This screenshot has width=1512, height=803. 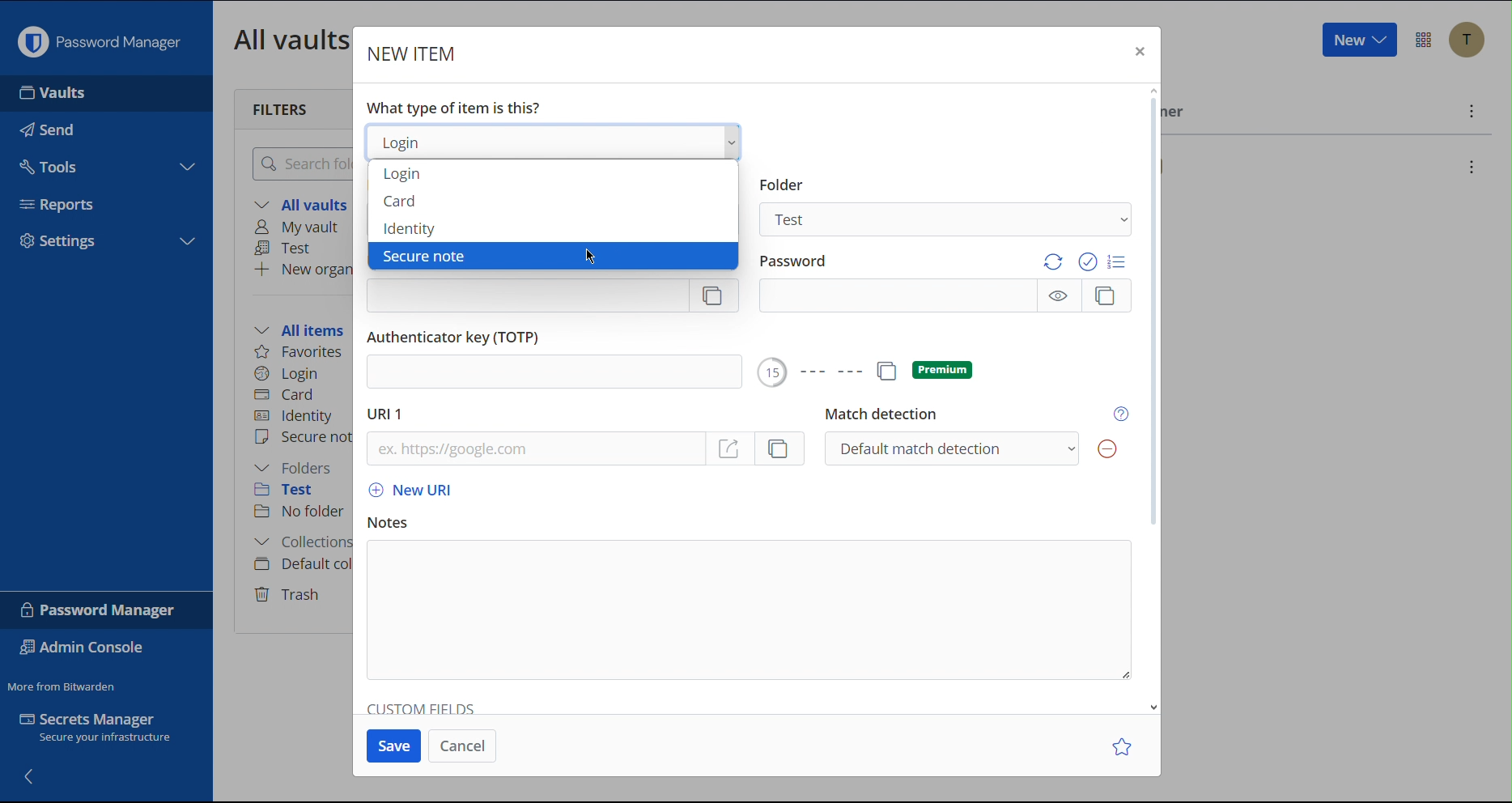 What do you see at coordinates (410, 228) in the screenshot?
I see `Identity` at bounding box center [410, 228].